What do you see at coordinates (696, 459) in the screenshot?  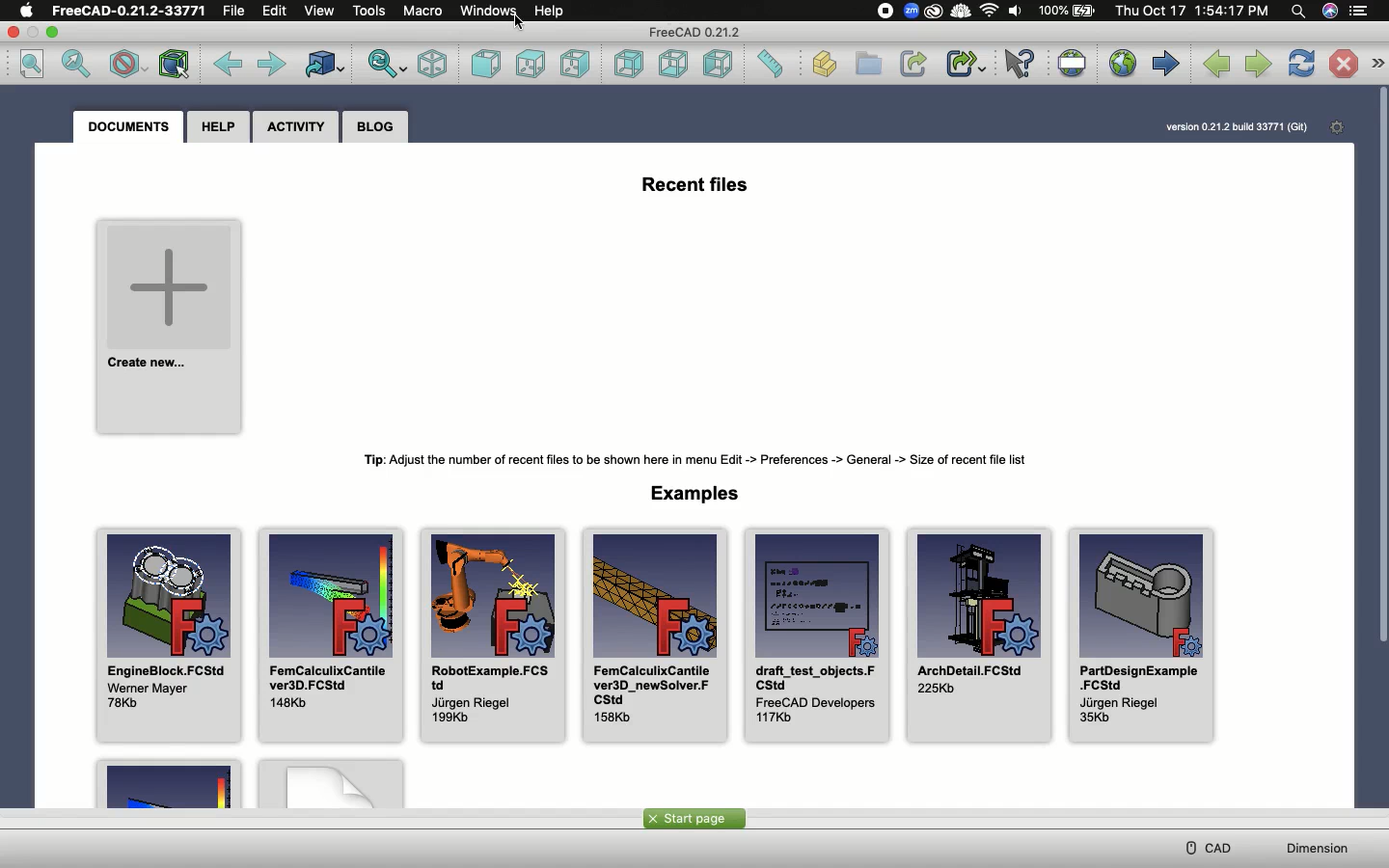 I see `Tip` at bounding box center [696, 459].